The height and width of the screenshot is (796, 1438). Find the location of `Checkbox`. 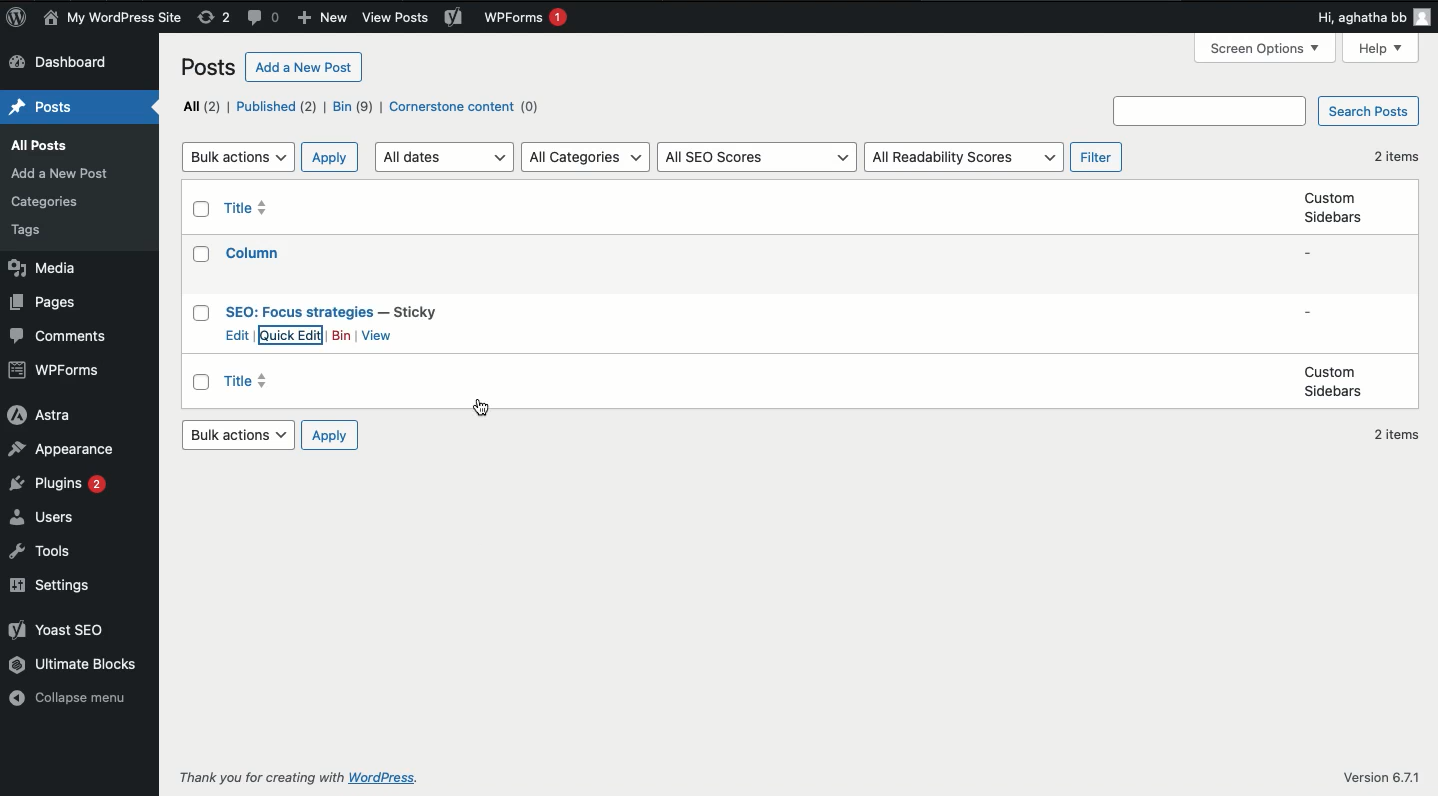

Checkbox is located at coordinates (203, 254).